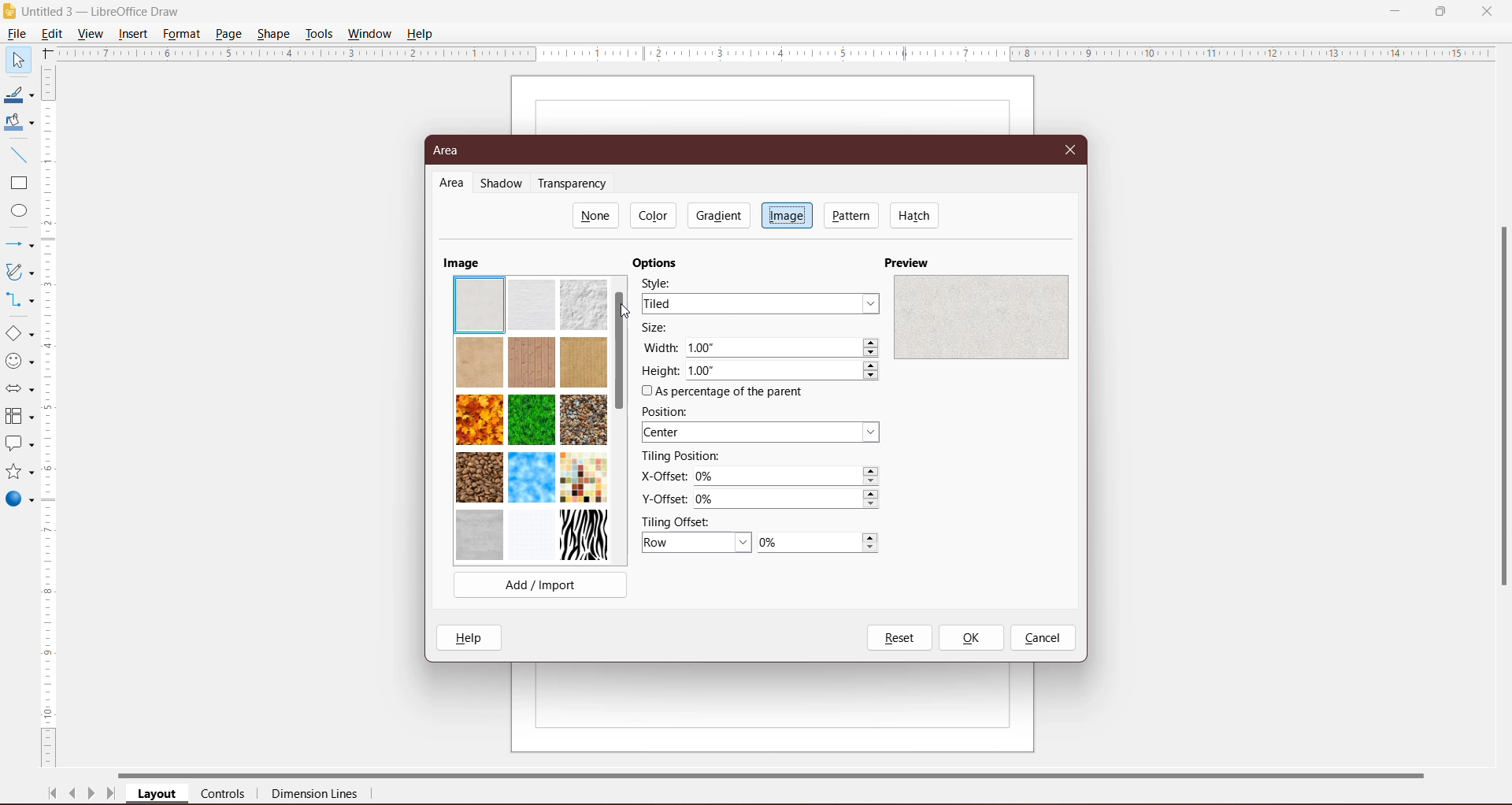 This screenshot has width=1512, height=805. I want to click on Height, so click(660, 371).